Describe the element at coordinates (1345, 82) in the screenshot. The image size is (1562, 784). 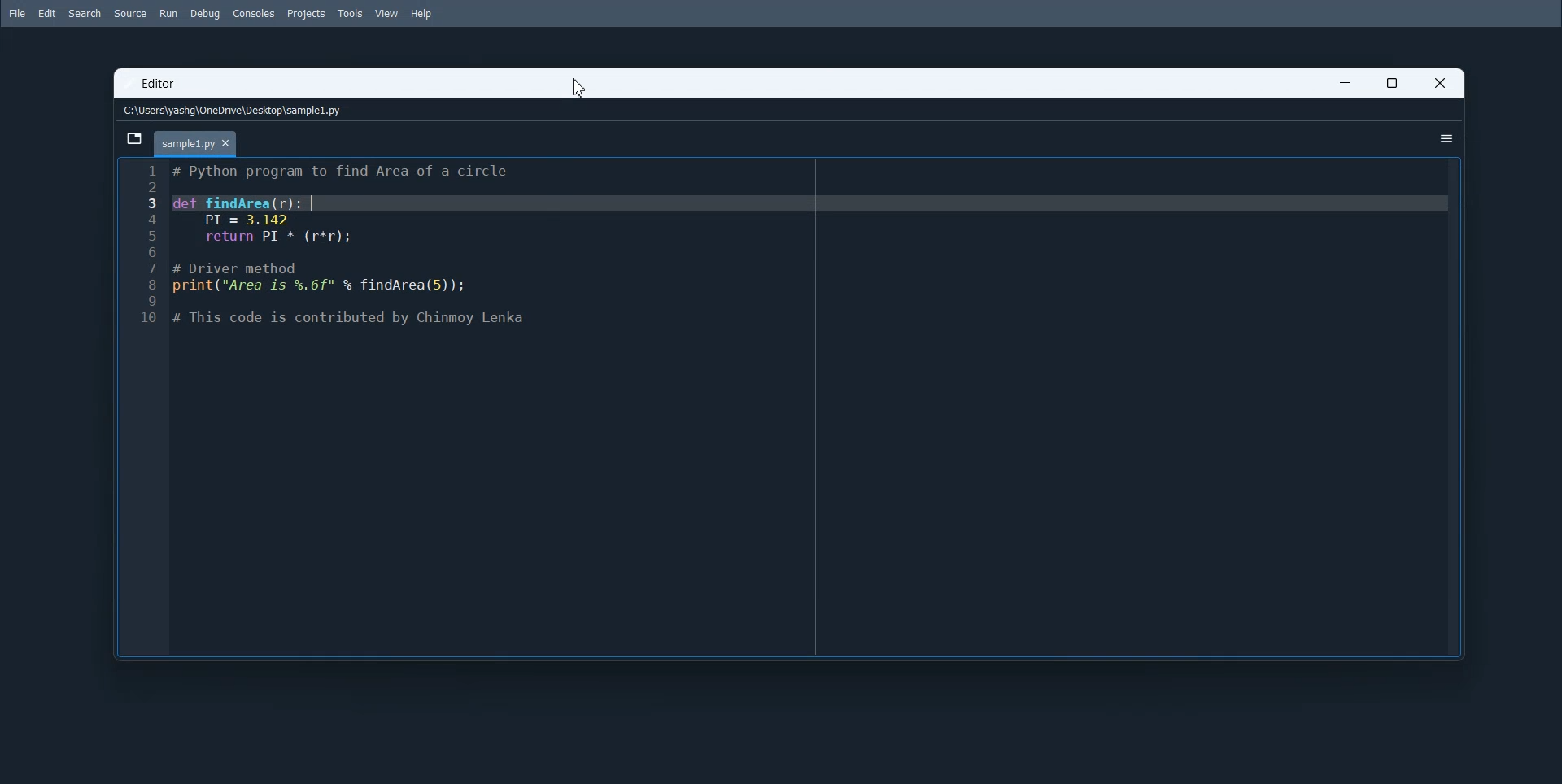
I see `Minimize` at that location.